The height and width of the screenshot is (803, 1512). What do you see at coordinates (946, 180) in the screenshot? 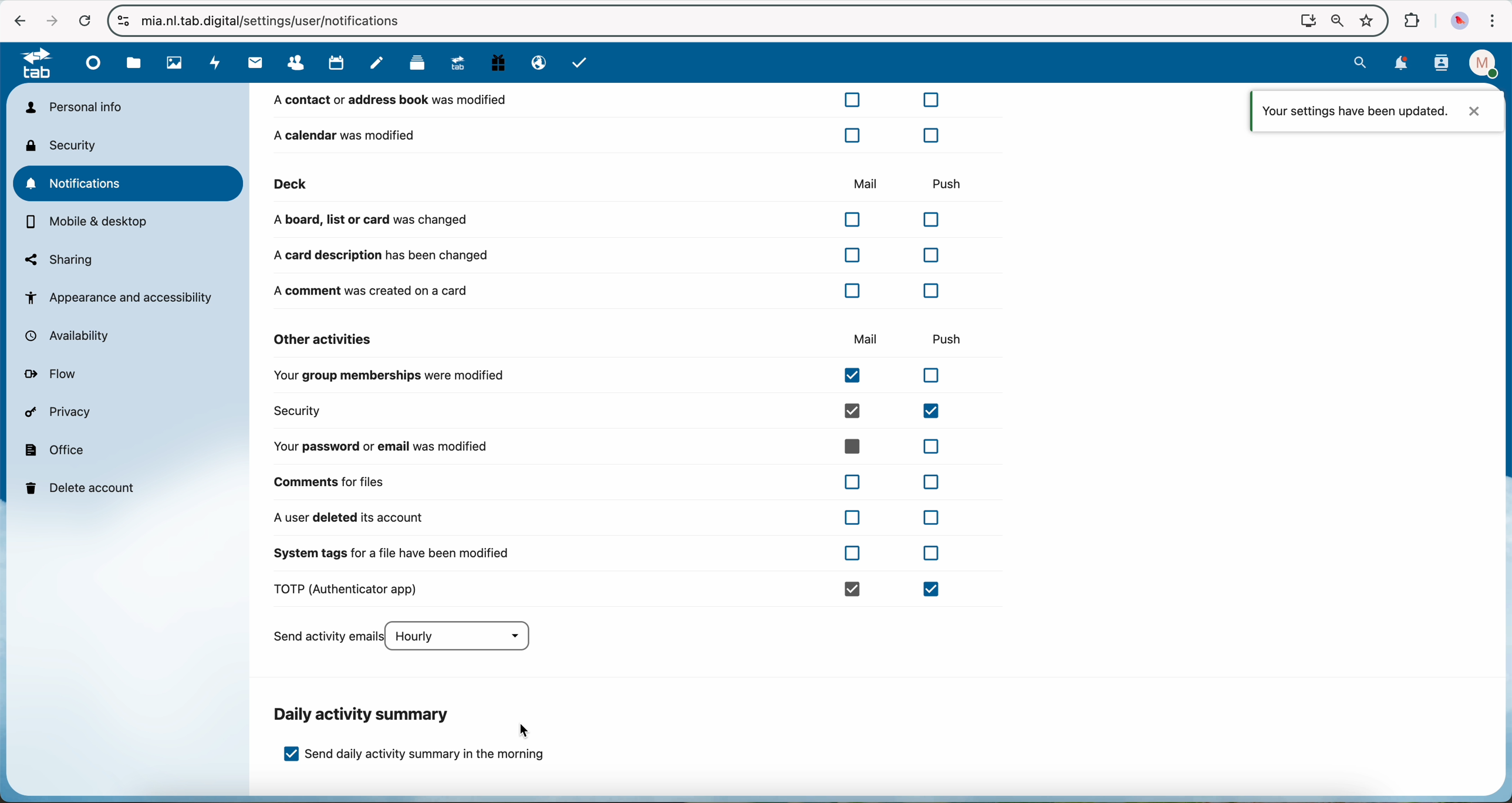
I see `push` at bounding box center [946, 180].